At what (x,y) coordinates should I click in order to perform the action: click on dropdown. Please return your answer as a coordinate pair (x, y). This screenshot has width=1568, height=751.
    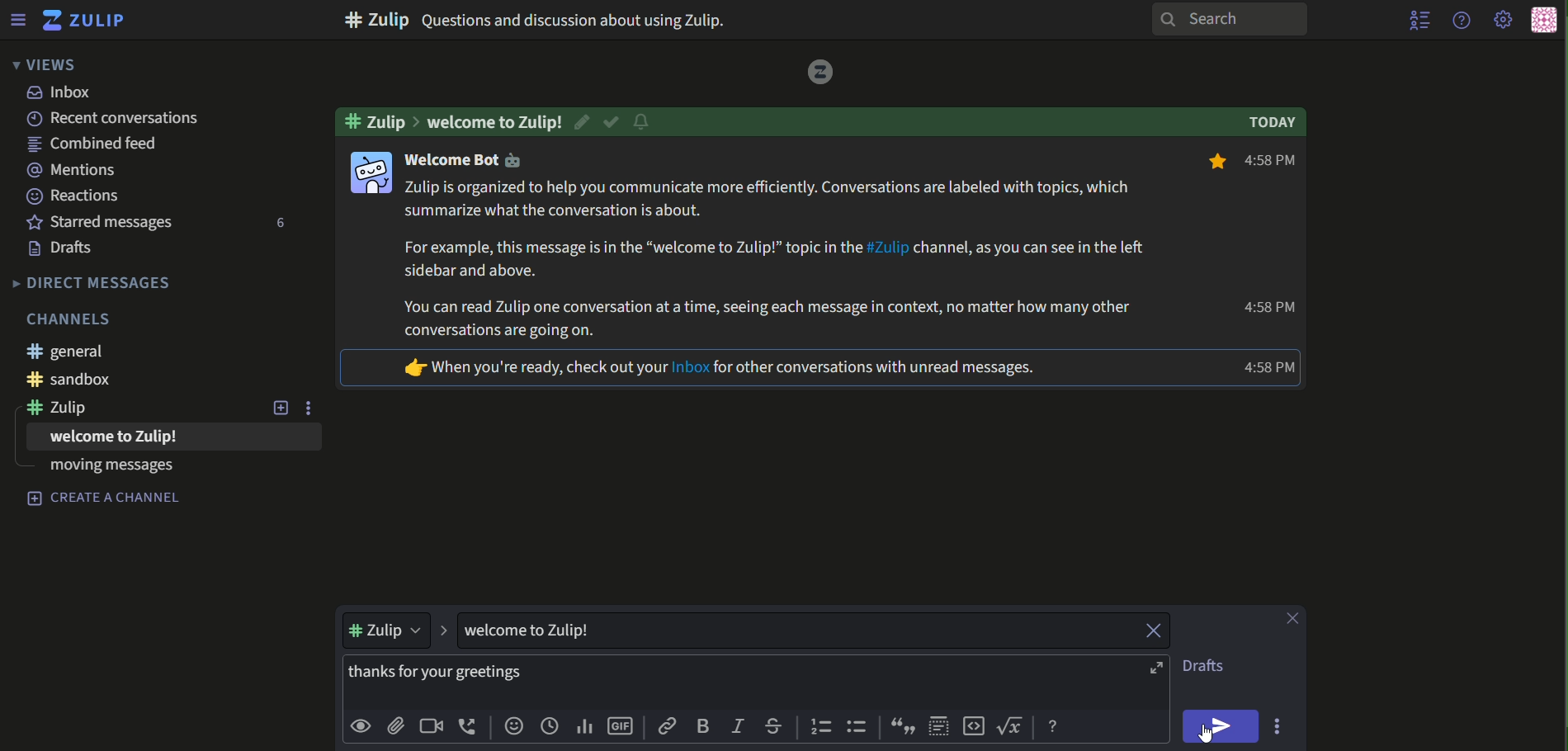
    Looking at the image, I should click on (389, 631).